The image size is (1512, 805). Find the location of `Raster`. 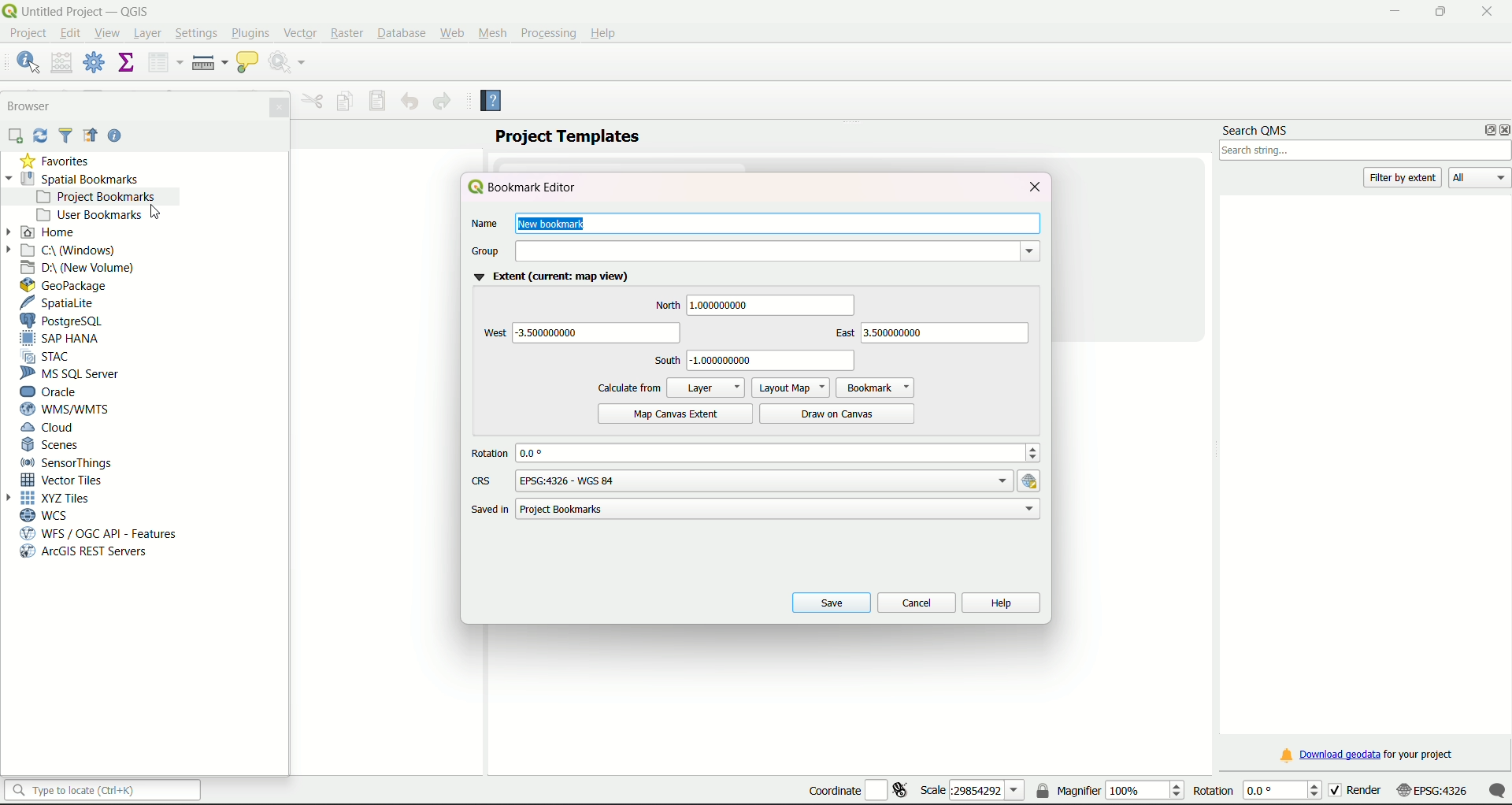

Raster is located at coordinates (348, 34).